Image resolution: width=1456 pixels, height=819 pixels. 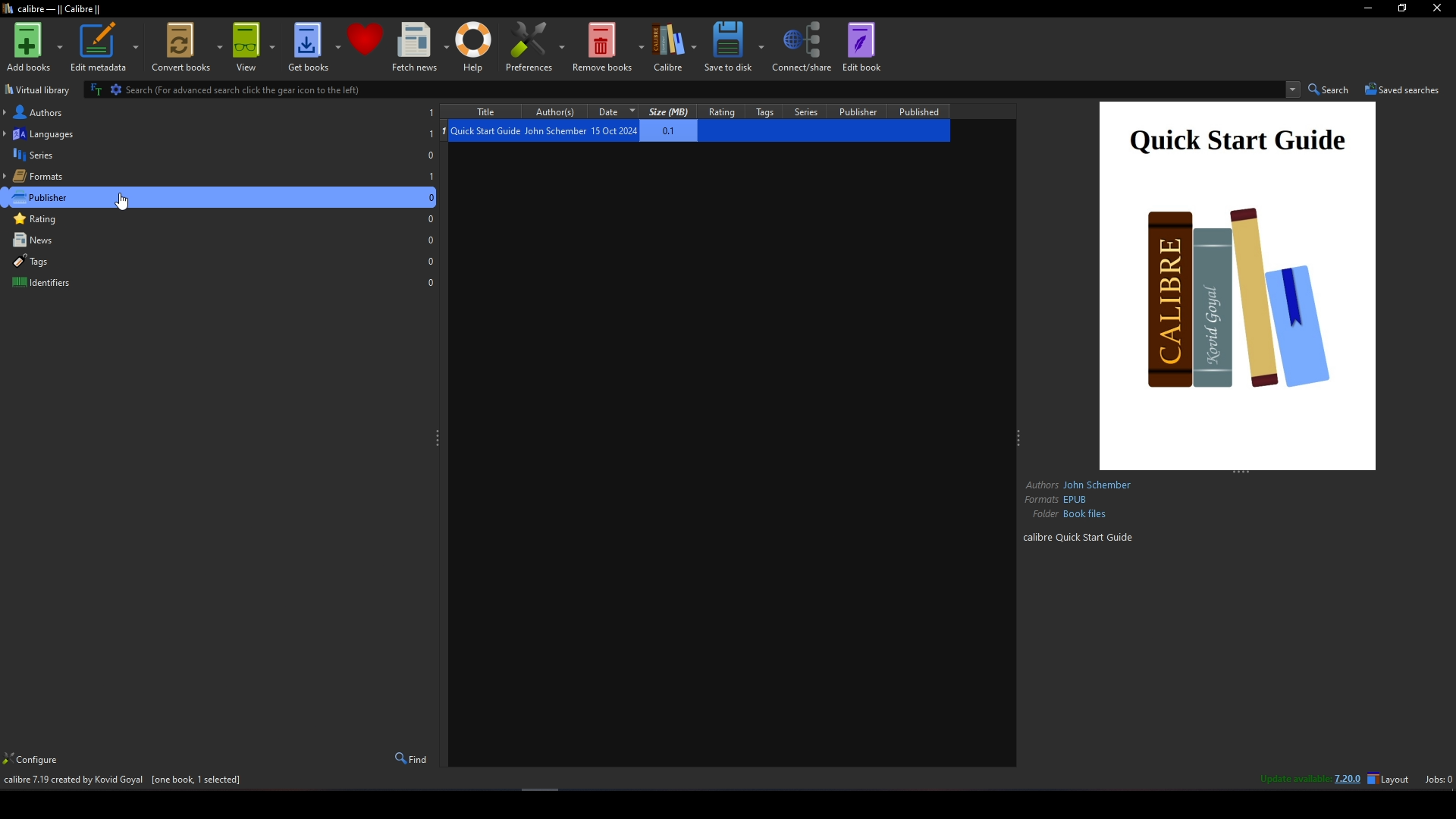 I want to click on Update available, so click(x=1294, y=778).